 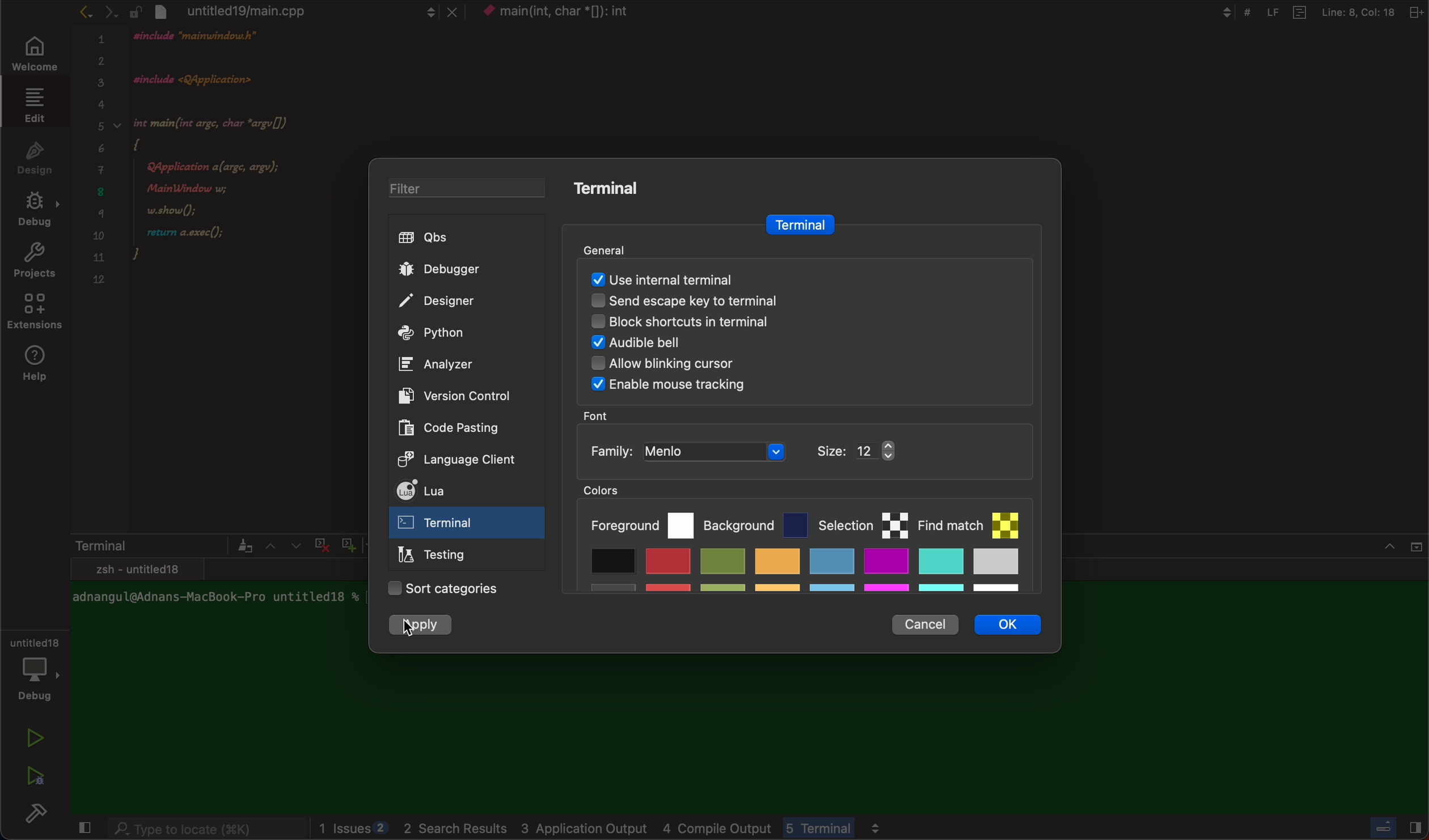 I want to click on cross, so click(x=319, y=543).